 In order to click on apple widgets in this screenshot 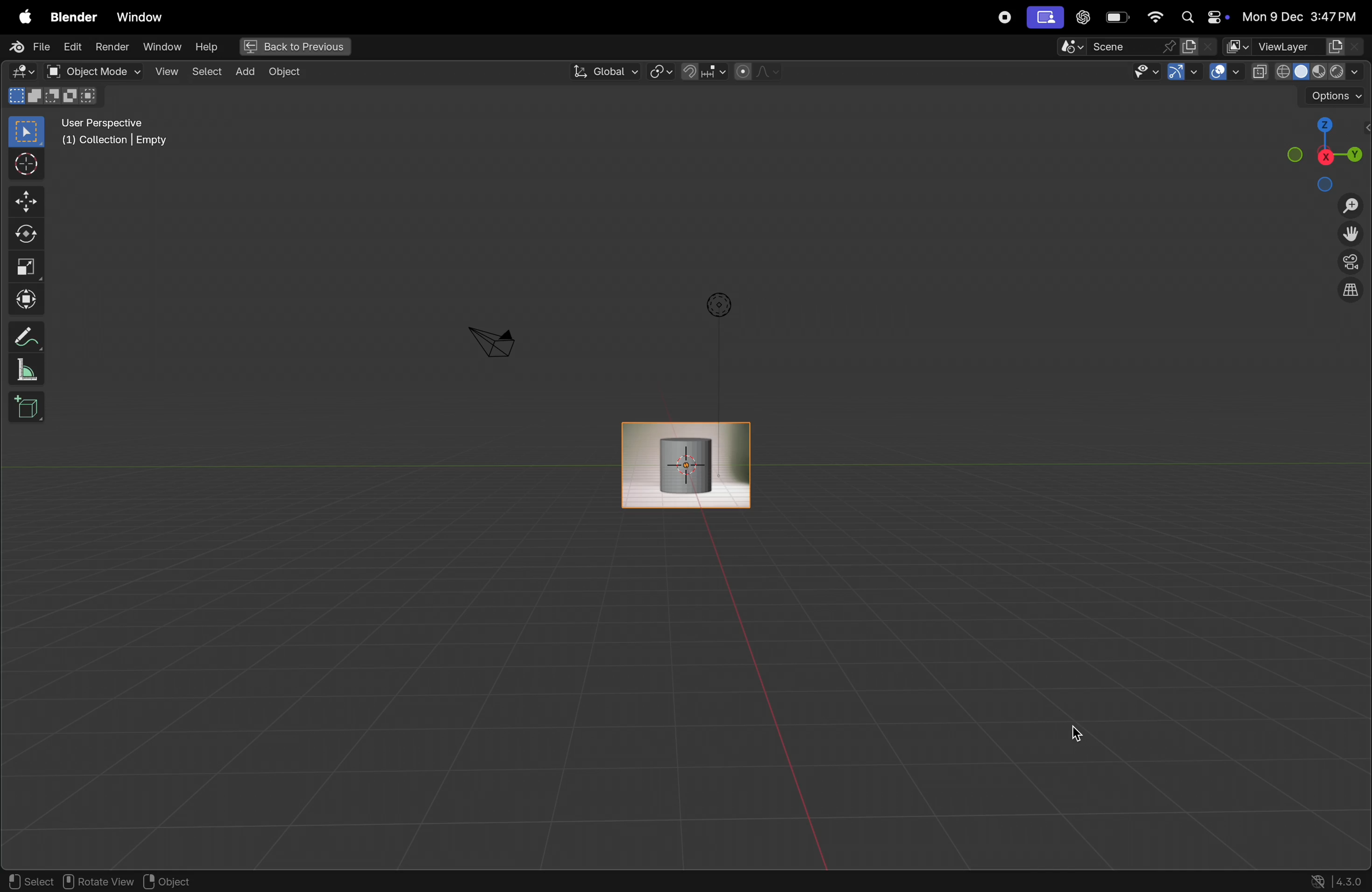, I will do `click(1200, 18)`.